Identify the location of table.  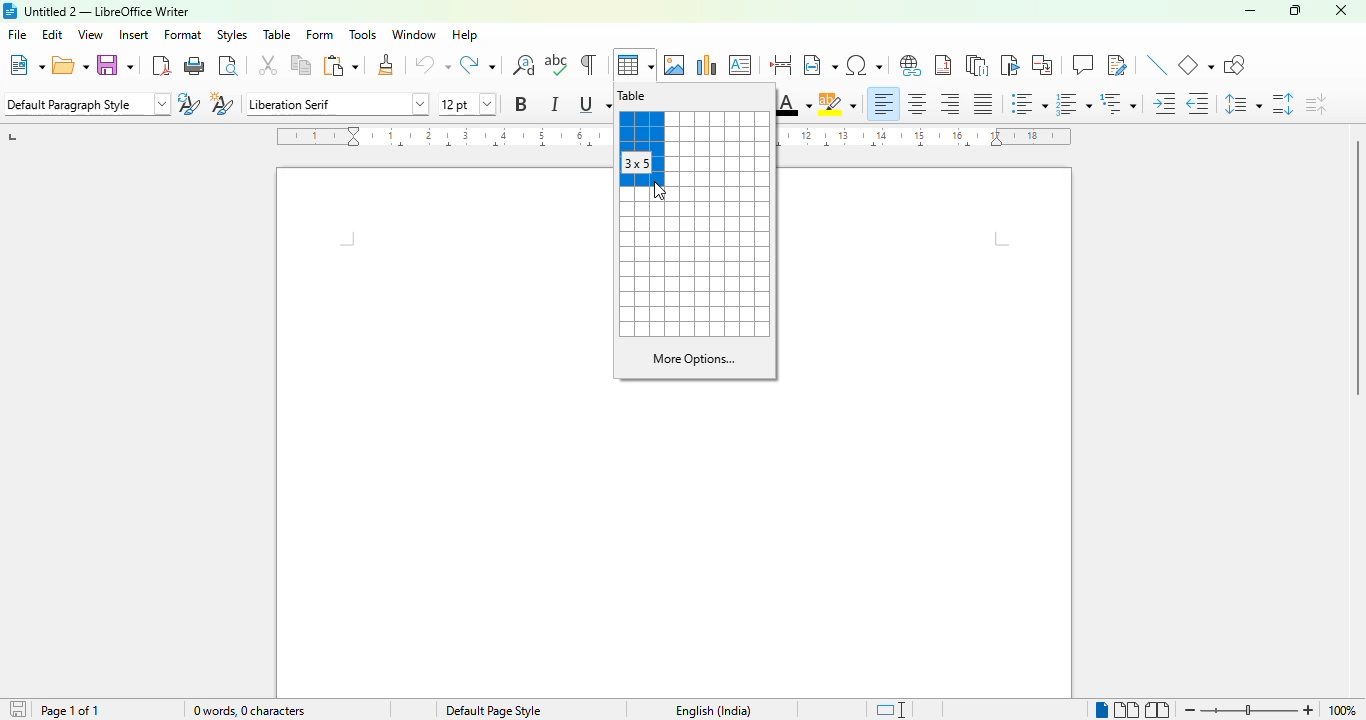
(277, 35).